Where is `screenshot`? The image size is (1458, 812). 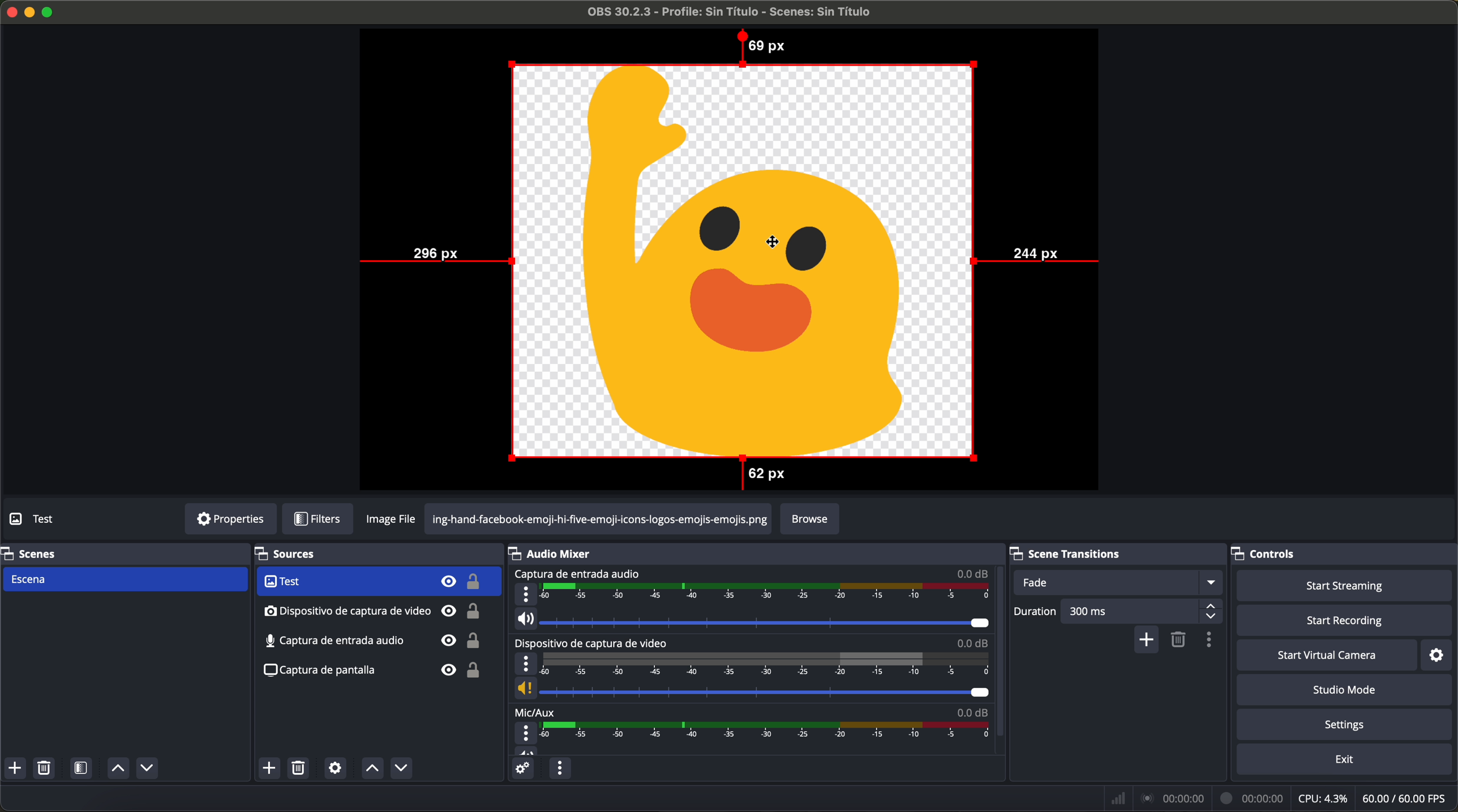
screenshot is located at coordinates (371, 675).